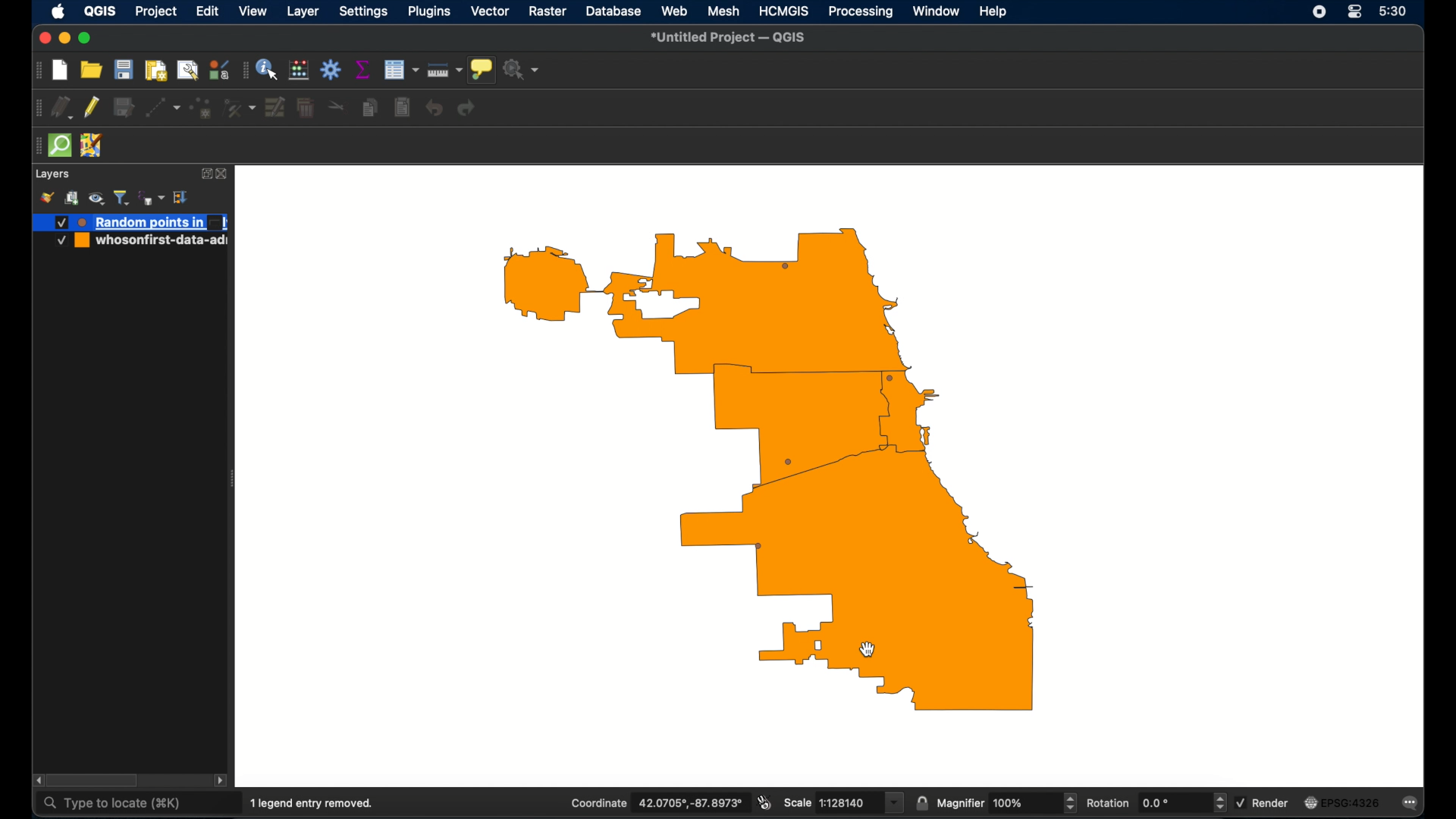  I want to click on expand all, so click(182, 197).